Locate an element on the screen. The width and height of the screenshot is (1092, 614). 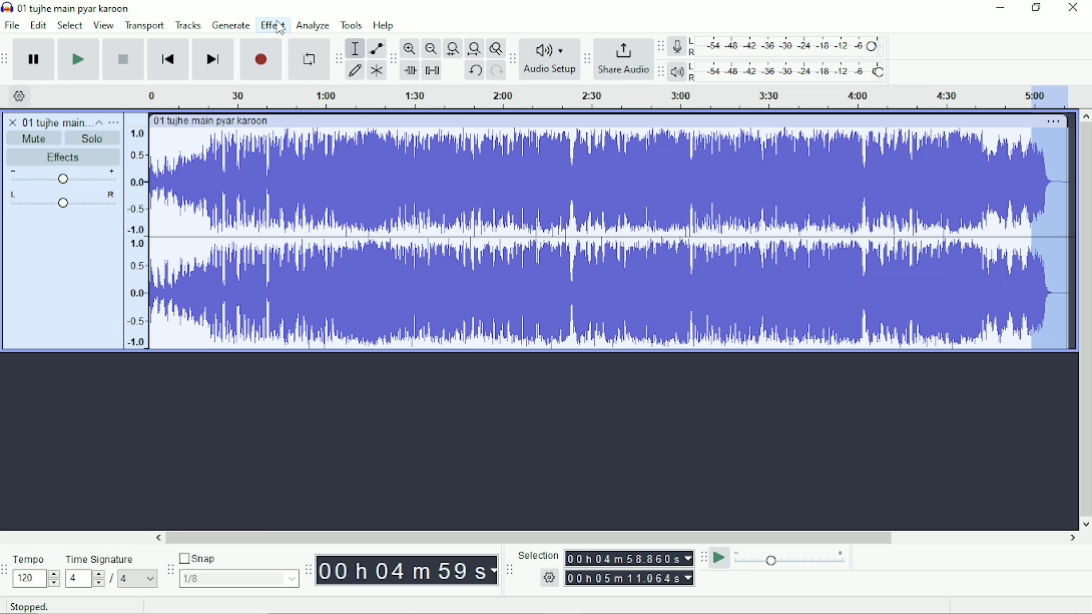
Analyze is located at coordinates (314, 25).